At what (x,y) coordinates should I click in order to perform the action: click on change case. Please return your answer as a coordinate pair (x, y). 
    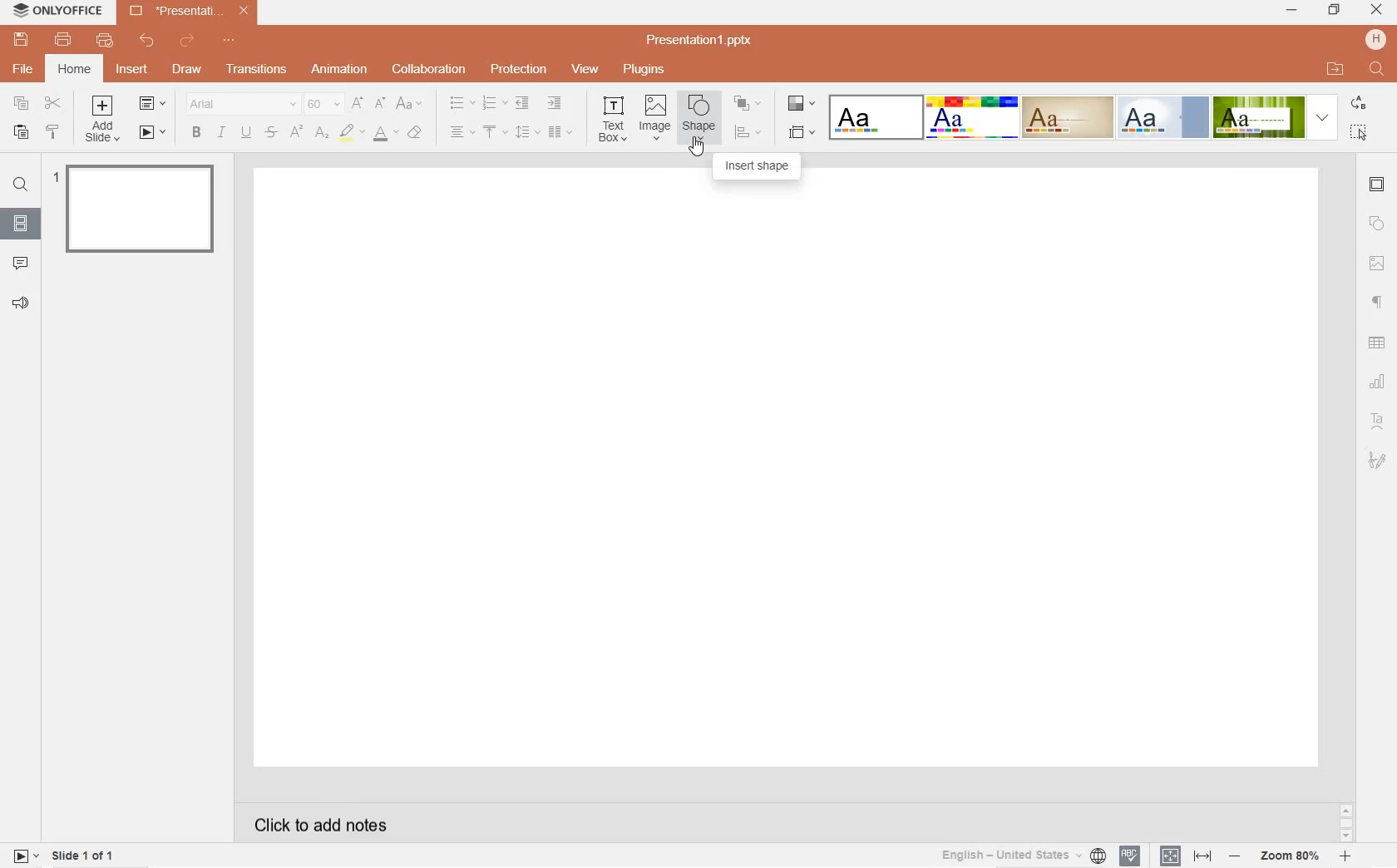
    Looking at the image, I should click on (410, 104).